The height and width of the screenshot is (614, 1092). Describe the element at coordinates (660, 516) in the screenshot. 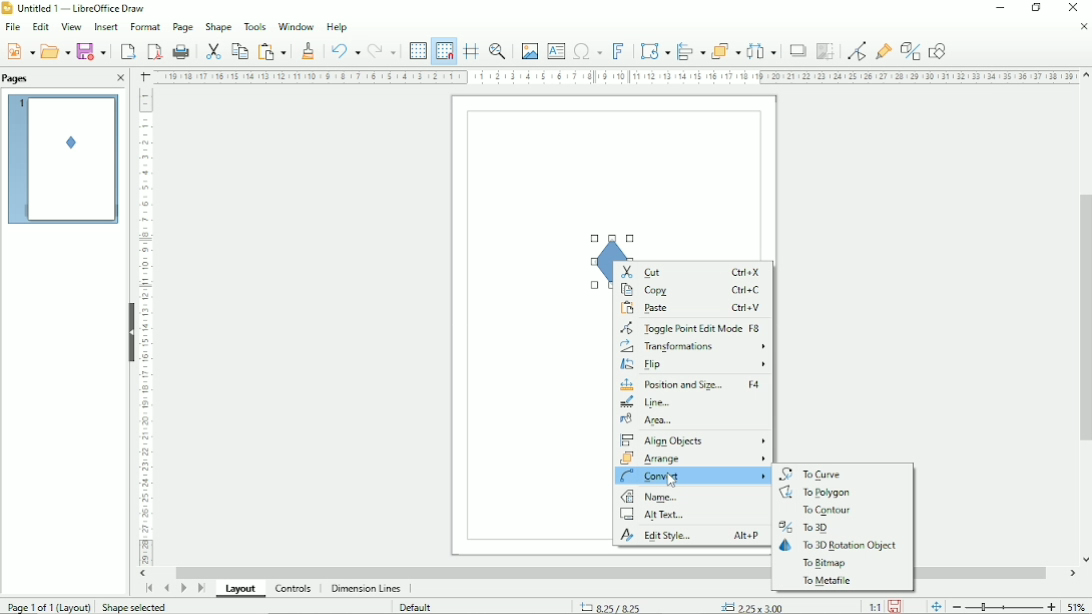

I see `Alt text` at that location.